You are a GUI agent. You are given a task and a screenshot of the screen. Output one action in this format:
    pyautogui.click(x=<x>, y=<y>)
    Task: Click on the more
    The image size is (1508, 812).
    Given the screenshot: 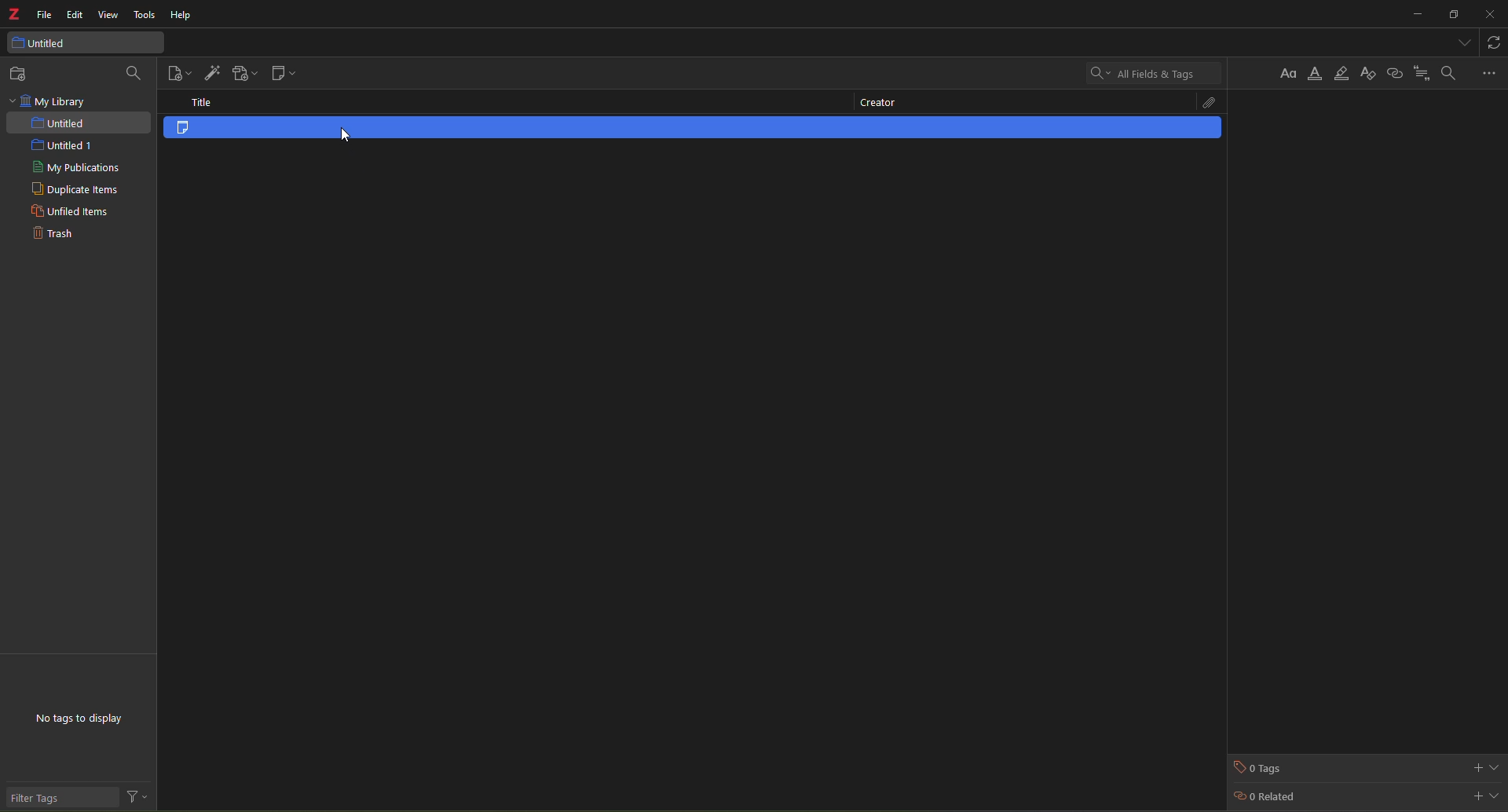 What is the action you would take?
    pyautogui.click(x=1489, y=72)
    